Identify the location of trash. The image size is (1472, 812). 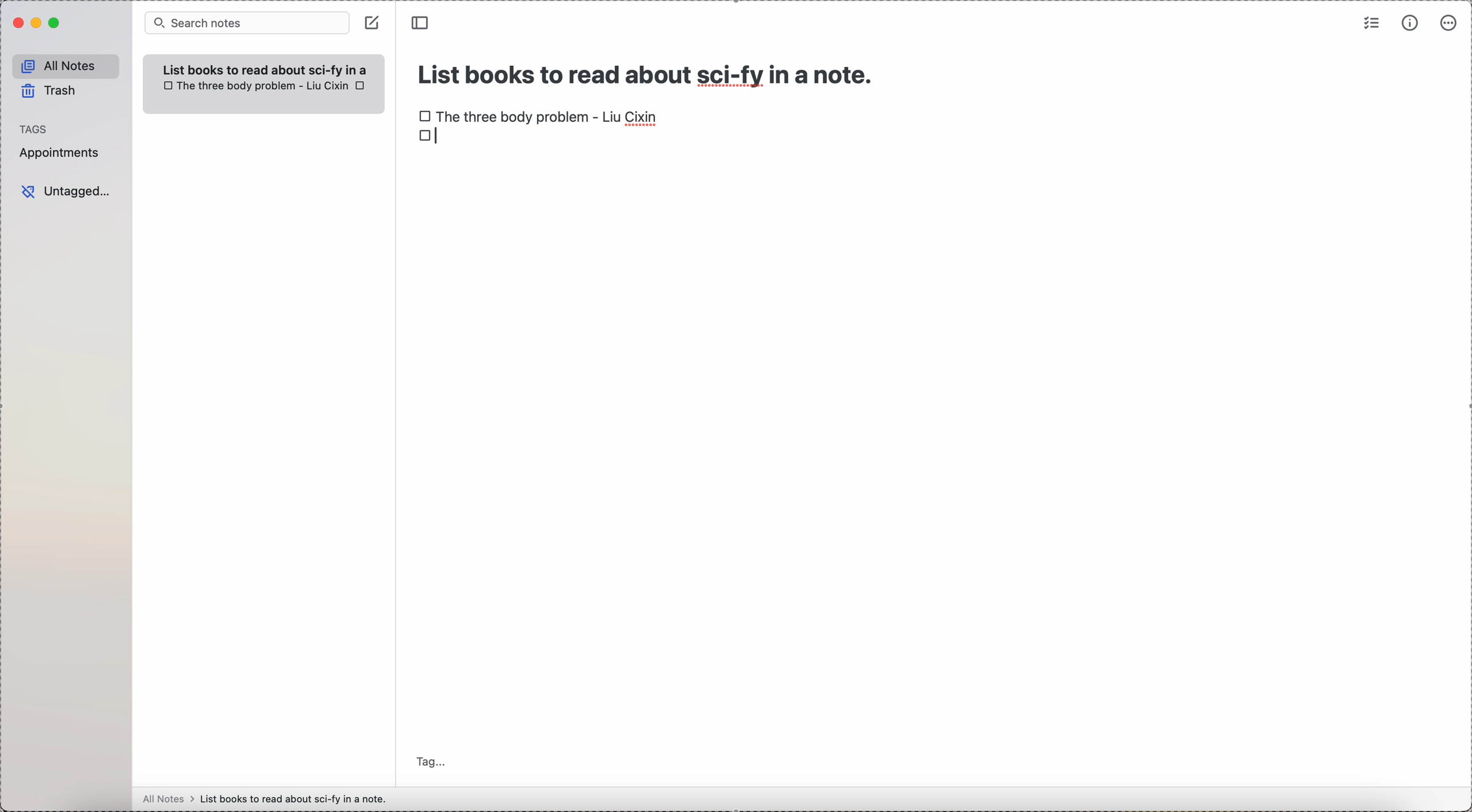
(50, 91).